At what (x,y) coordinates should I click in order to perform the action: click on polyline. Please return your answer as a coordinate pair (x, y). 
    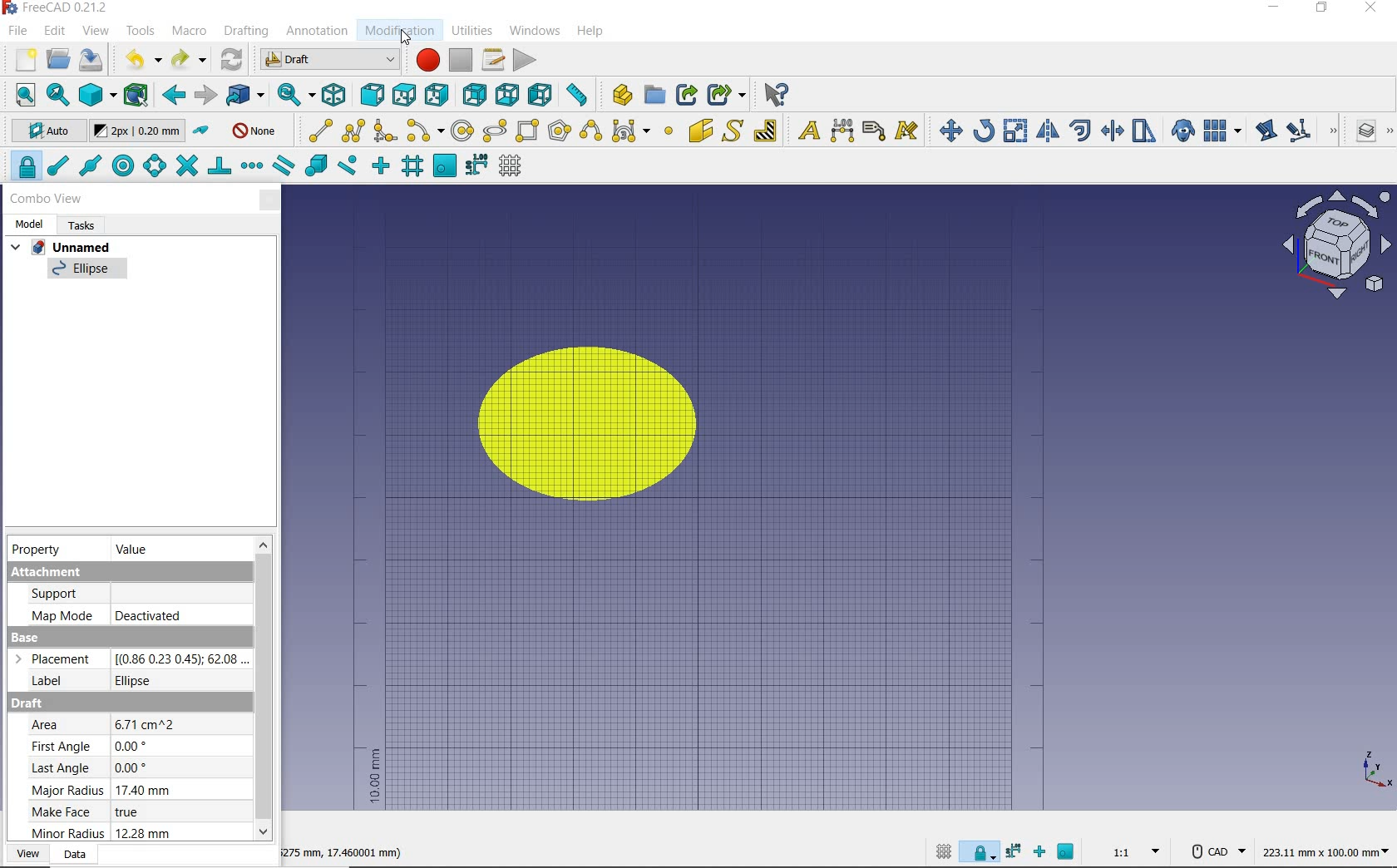
    Looking at the image, I should click on (354, 132).